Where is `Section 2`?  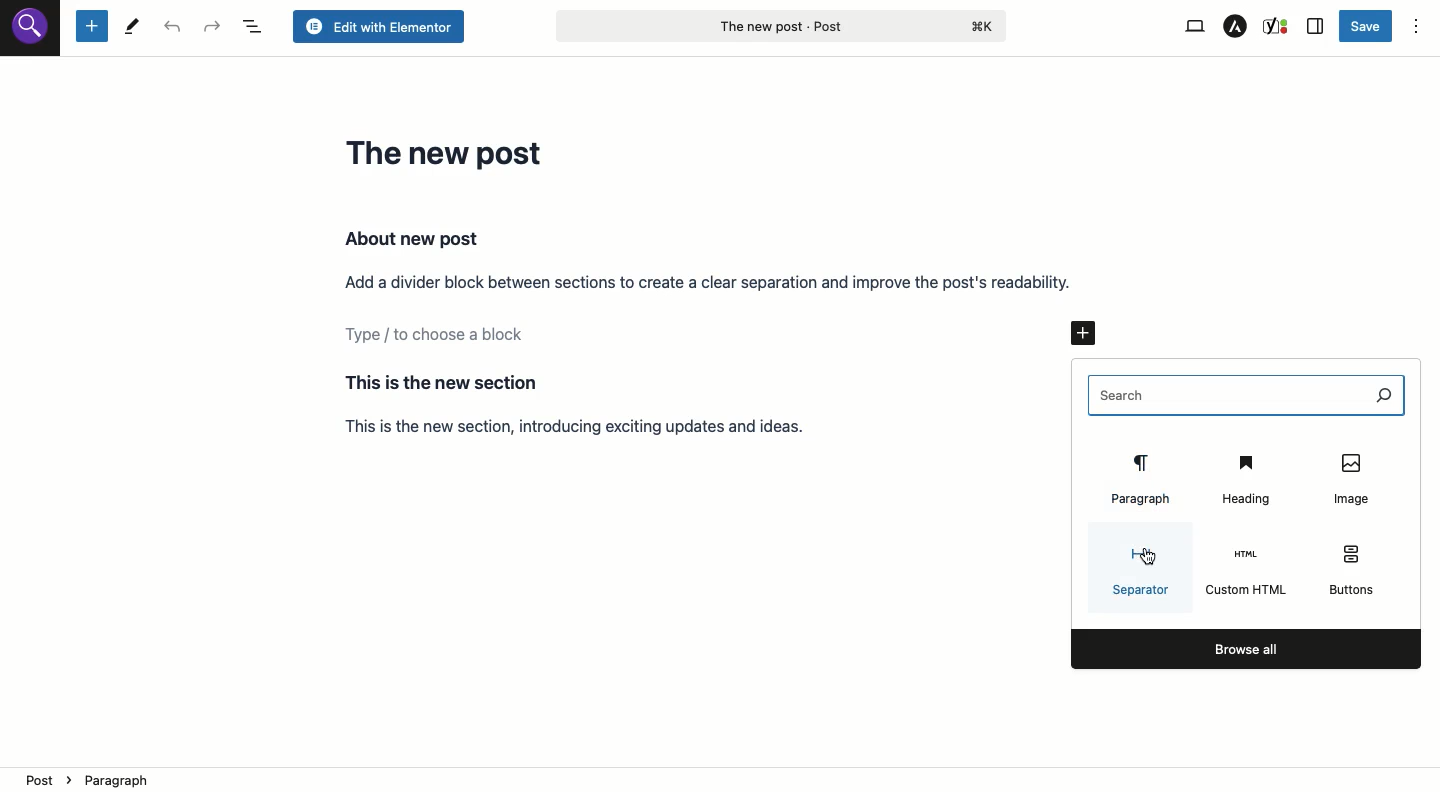 Section 2 is located at coordinates (602, 404).